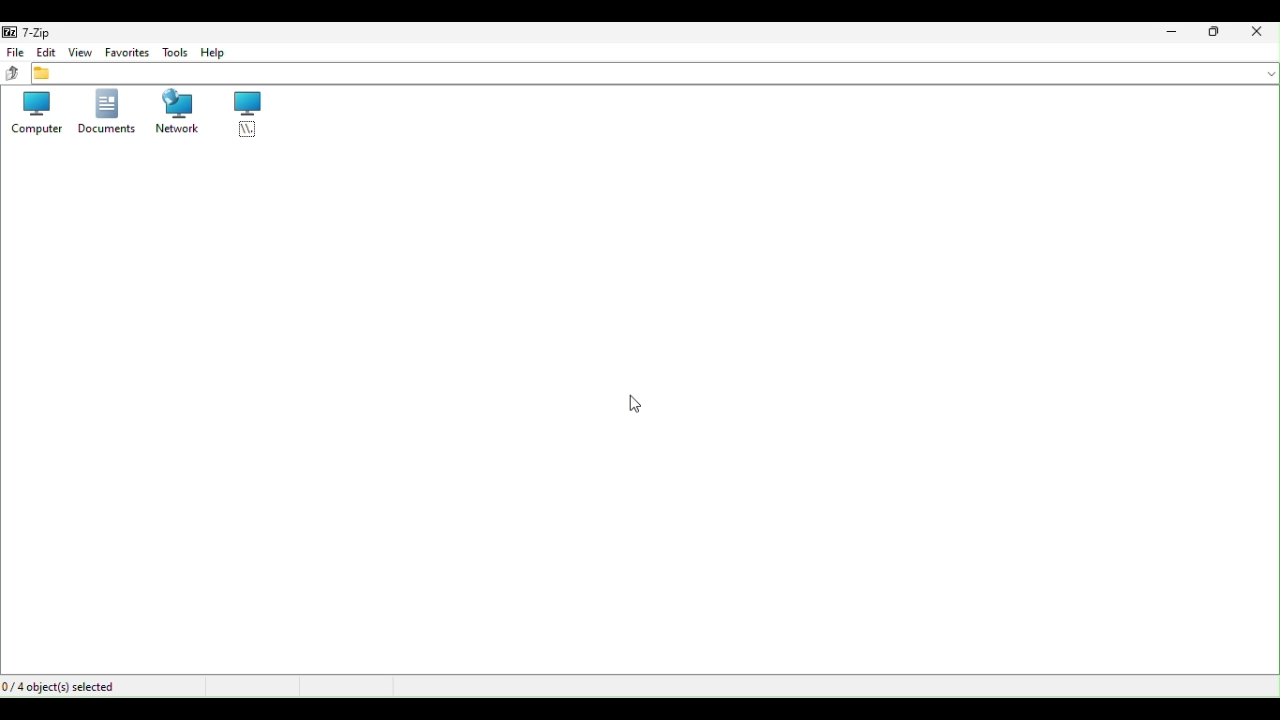 The image size is (1280, 720). Describe the element at coordinates (1172, 31) in the screenshot. I see `Minimise` at that location.